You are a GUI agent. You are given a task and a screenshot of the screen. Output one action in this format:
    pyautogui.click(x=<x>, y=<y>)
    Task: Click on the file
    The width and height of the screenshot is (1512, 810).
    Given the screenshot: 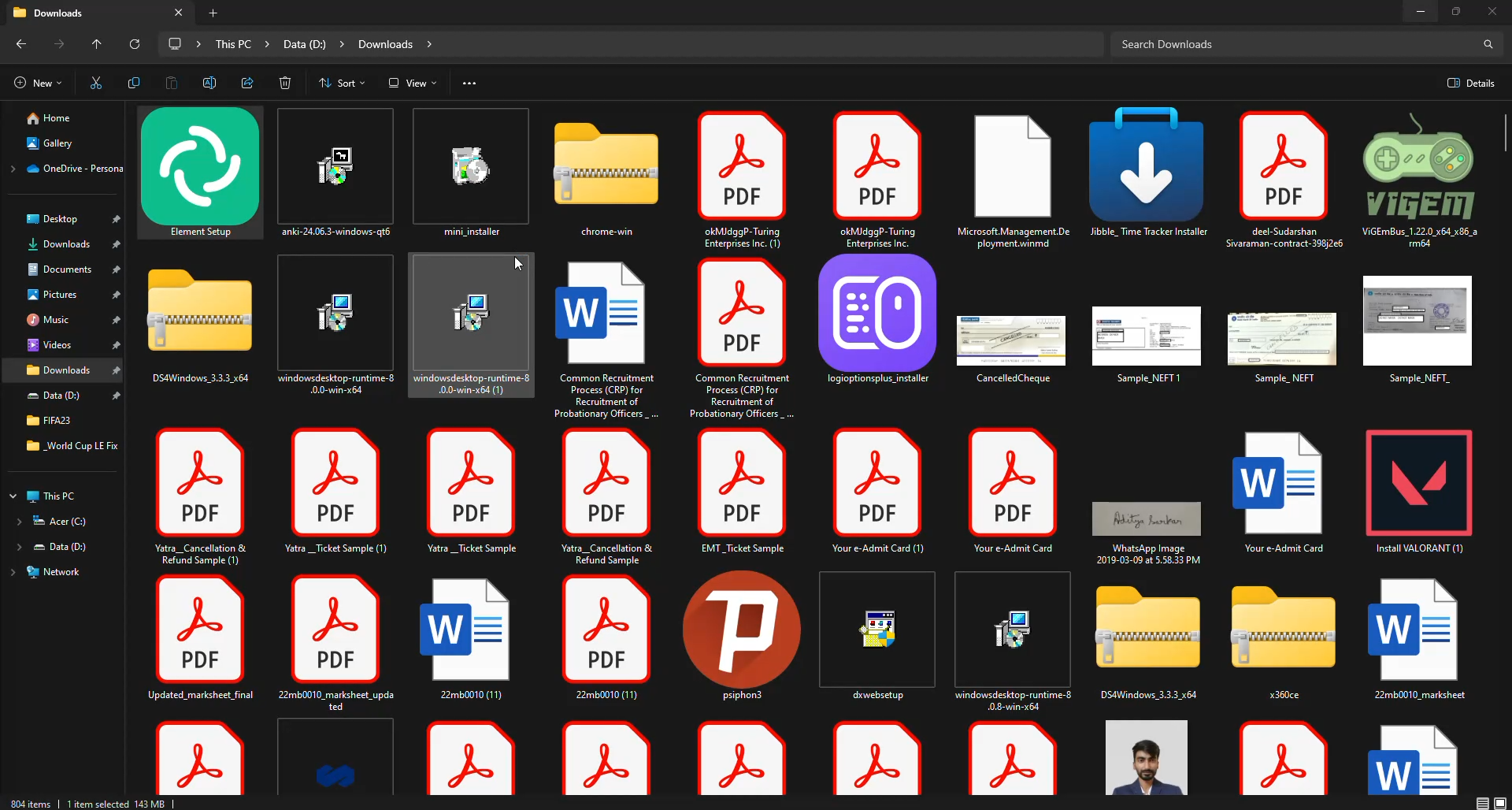 What is the action you would take?
    pyautogui.click(x=345, y=642)
    